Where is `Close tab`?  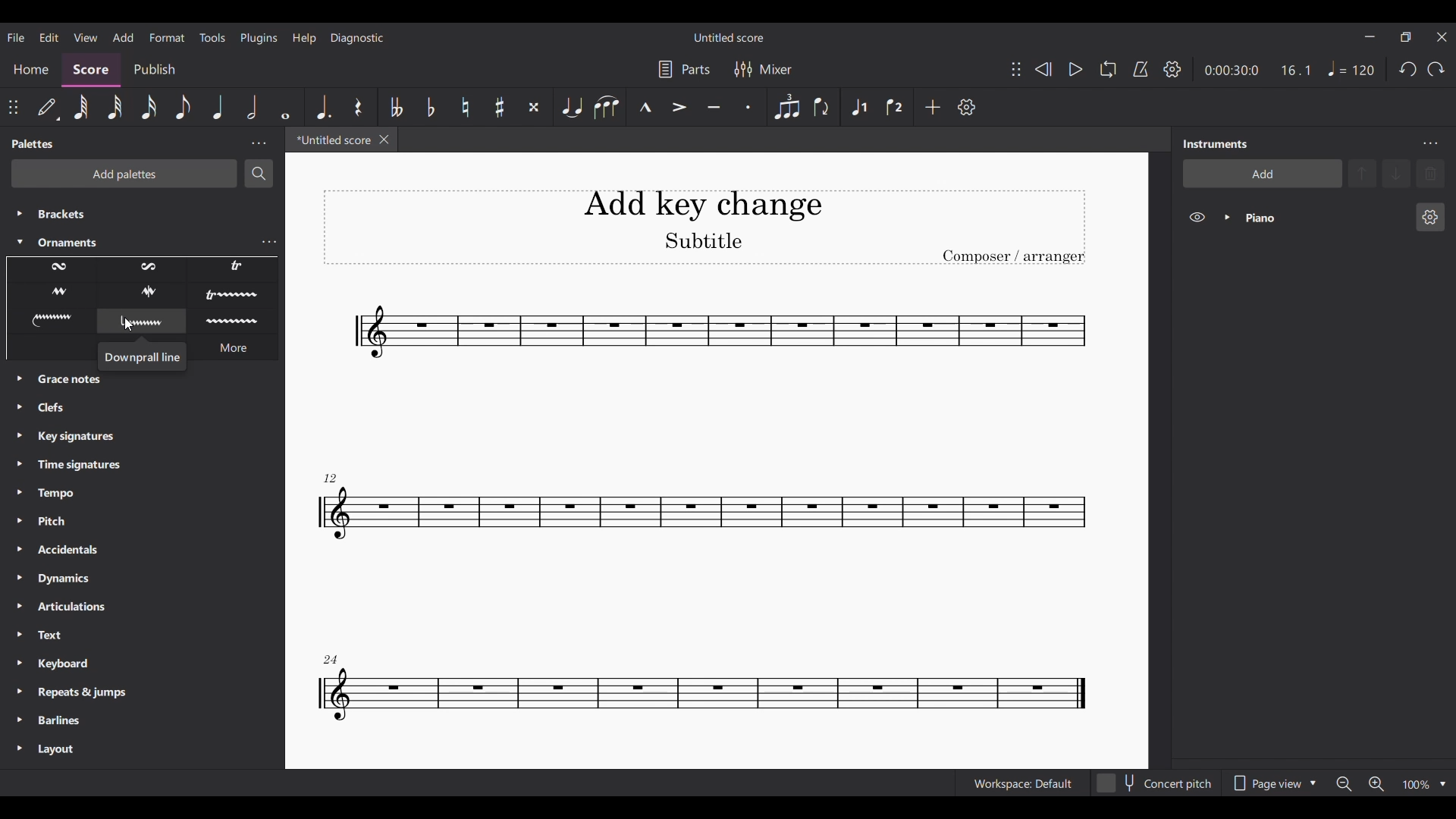
Close tab is located at coordinates (384, 140).